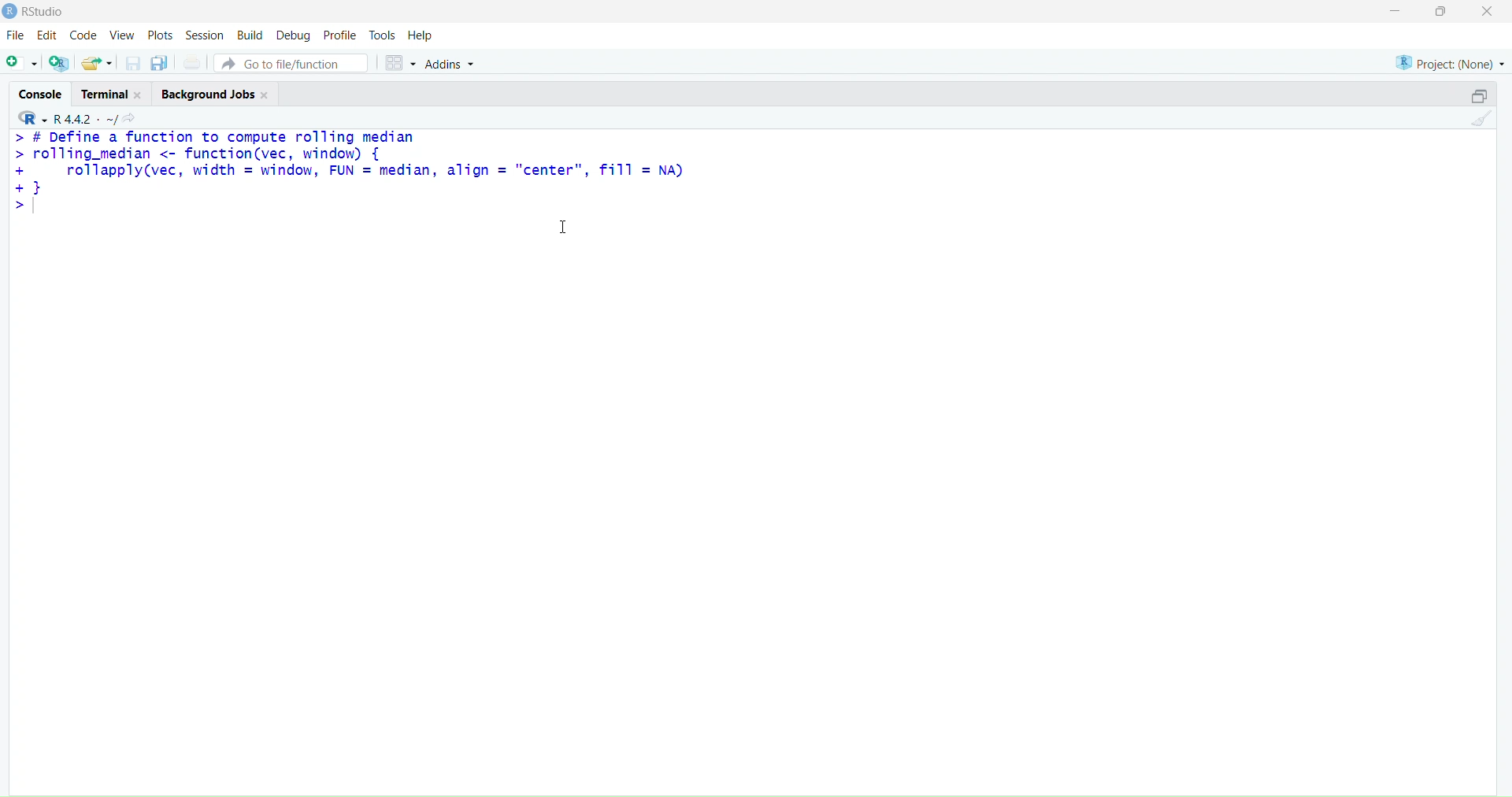 The image size is (1512, 797). Describe the element at coordinates (22, 63) in the screenshot. I see `add file as` at that location.